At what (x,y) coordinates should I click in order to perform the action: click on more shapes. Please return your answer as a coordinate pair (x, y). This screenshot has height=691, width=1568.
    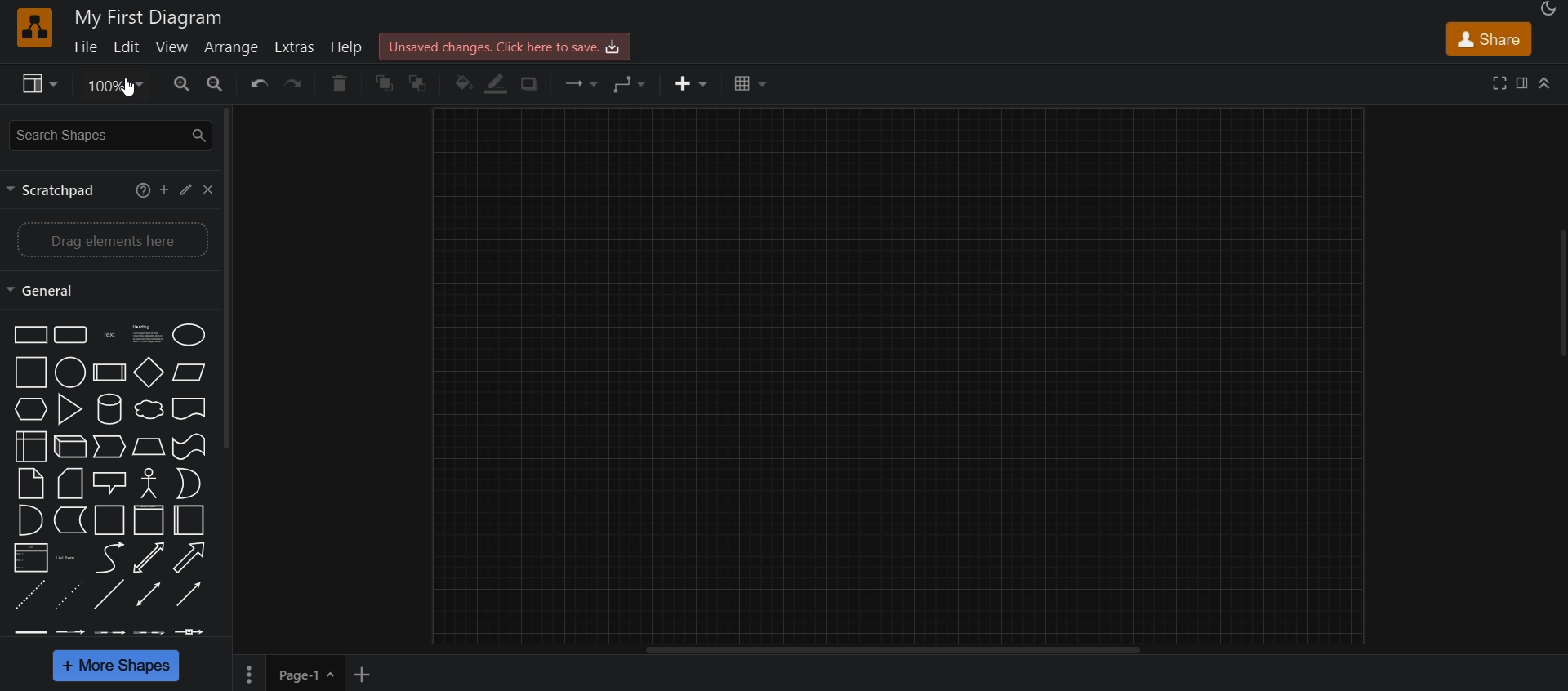
    Looking at the image, I should click on (116, 666).